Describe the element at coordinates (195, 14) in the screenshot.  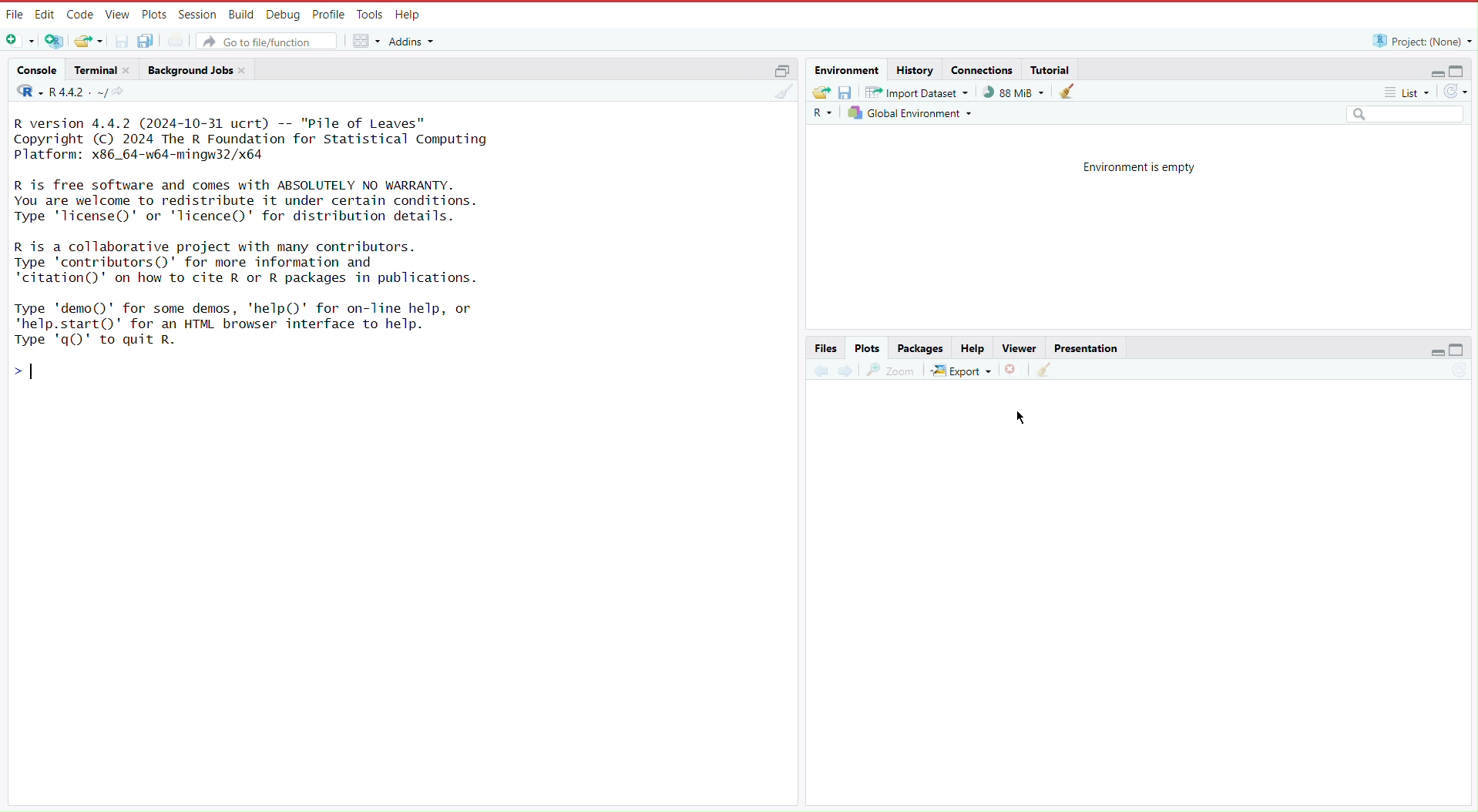
I see `Session` at that location.